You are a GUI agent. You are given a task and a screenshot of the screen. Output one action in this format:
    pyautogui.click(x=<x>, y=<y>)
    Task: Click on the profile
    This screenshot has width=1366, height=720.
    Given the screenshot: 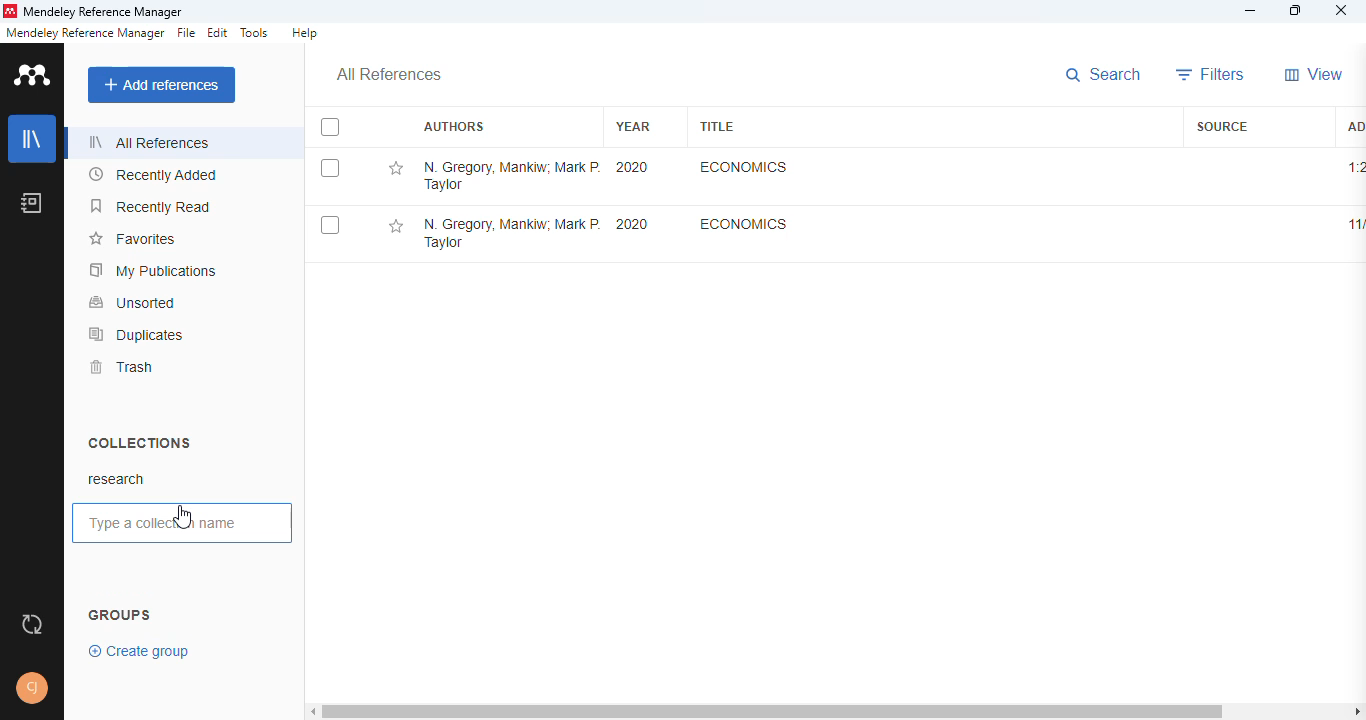 What is the action you would take?
    pyautogui.click(x=32, y=688)
    